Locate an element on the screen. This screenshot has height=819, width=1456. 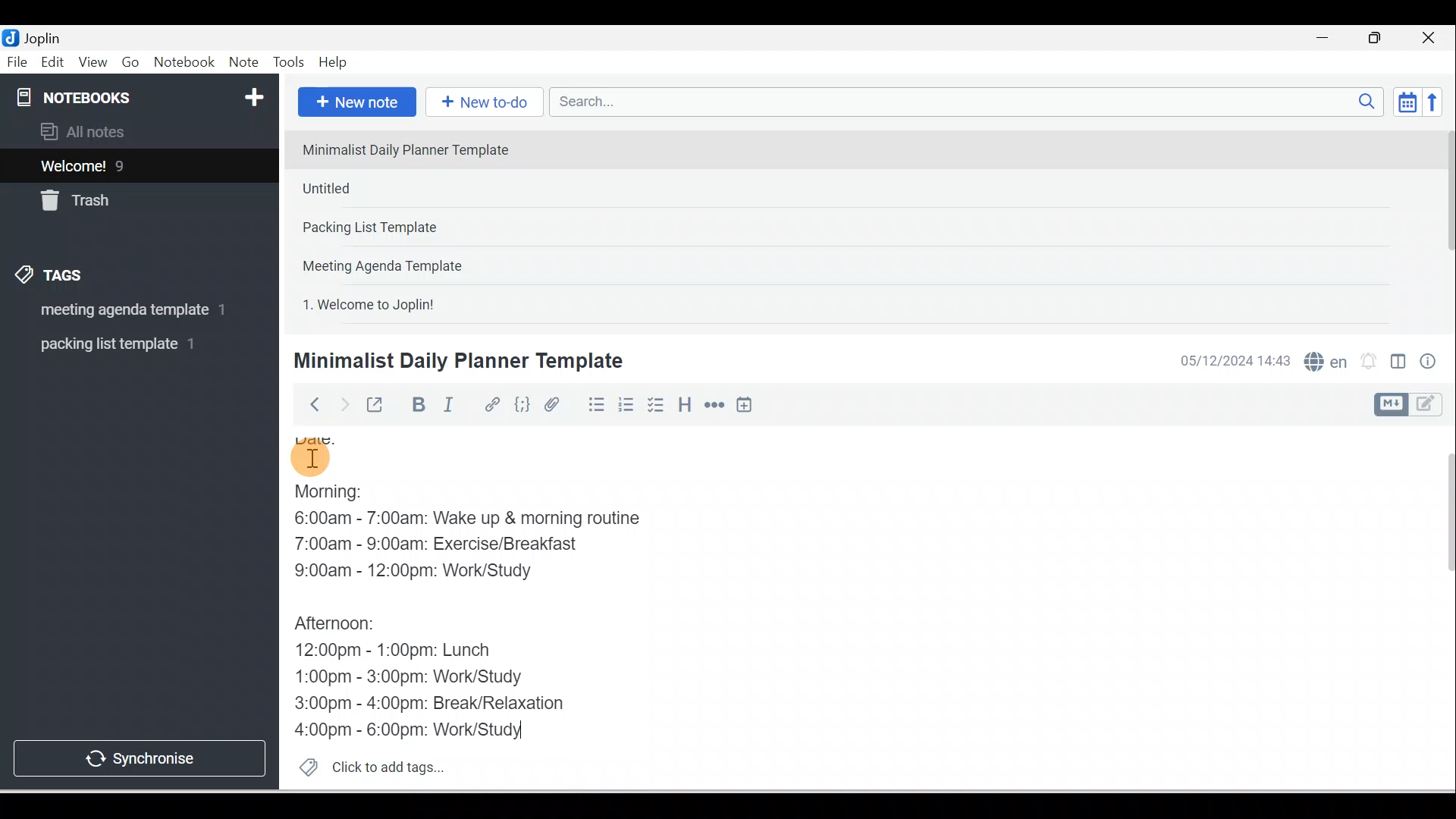
Note properties is located at coordinates (1429, 363).